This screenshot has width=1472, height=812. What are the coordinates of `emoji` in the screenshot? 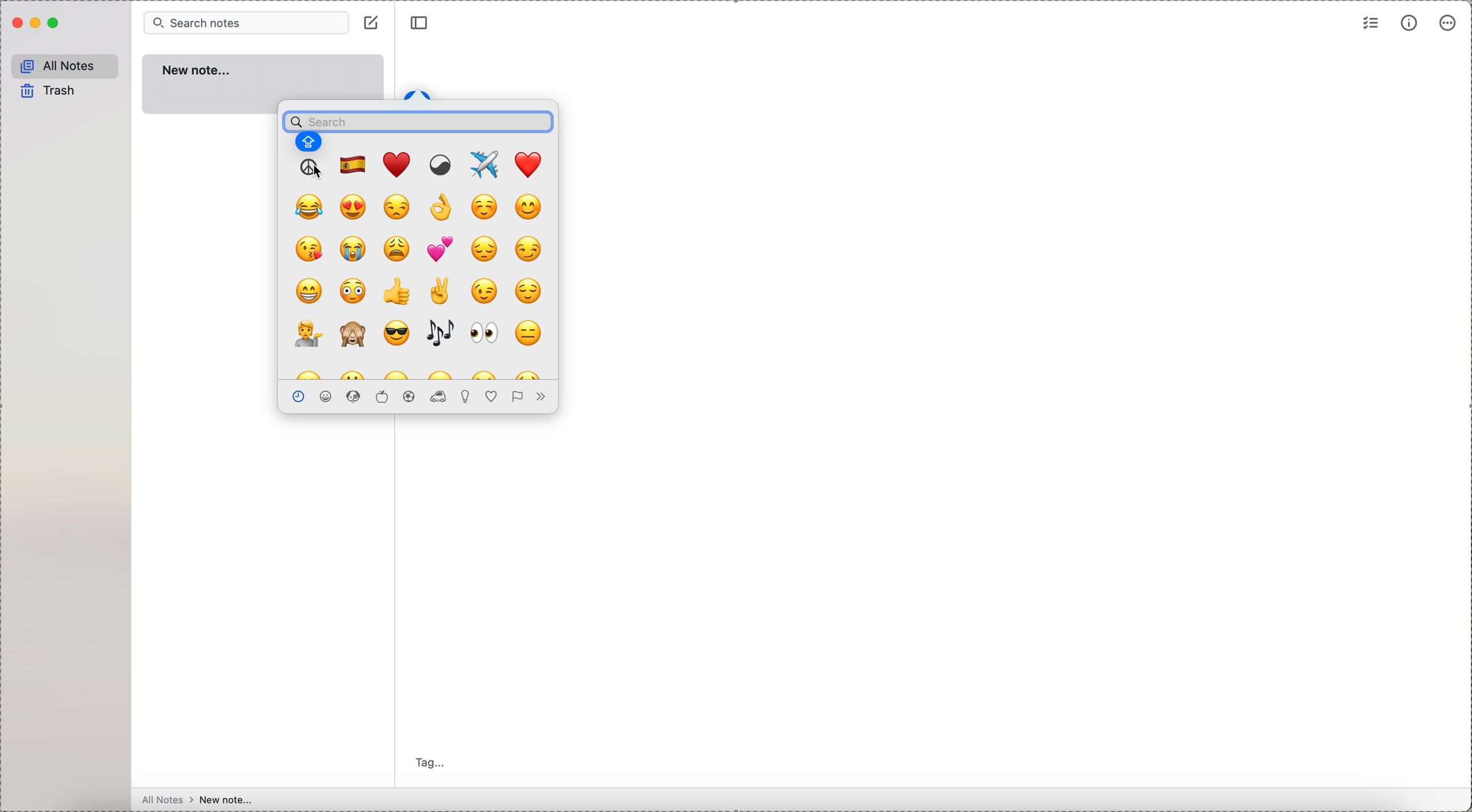 It's located at (487, 163).